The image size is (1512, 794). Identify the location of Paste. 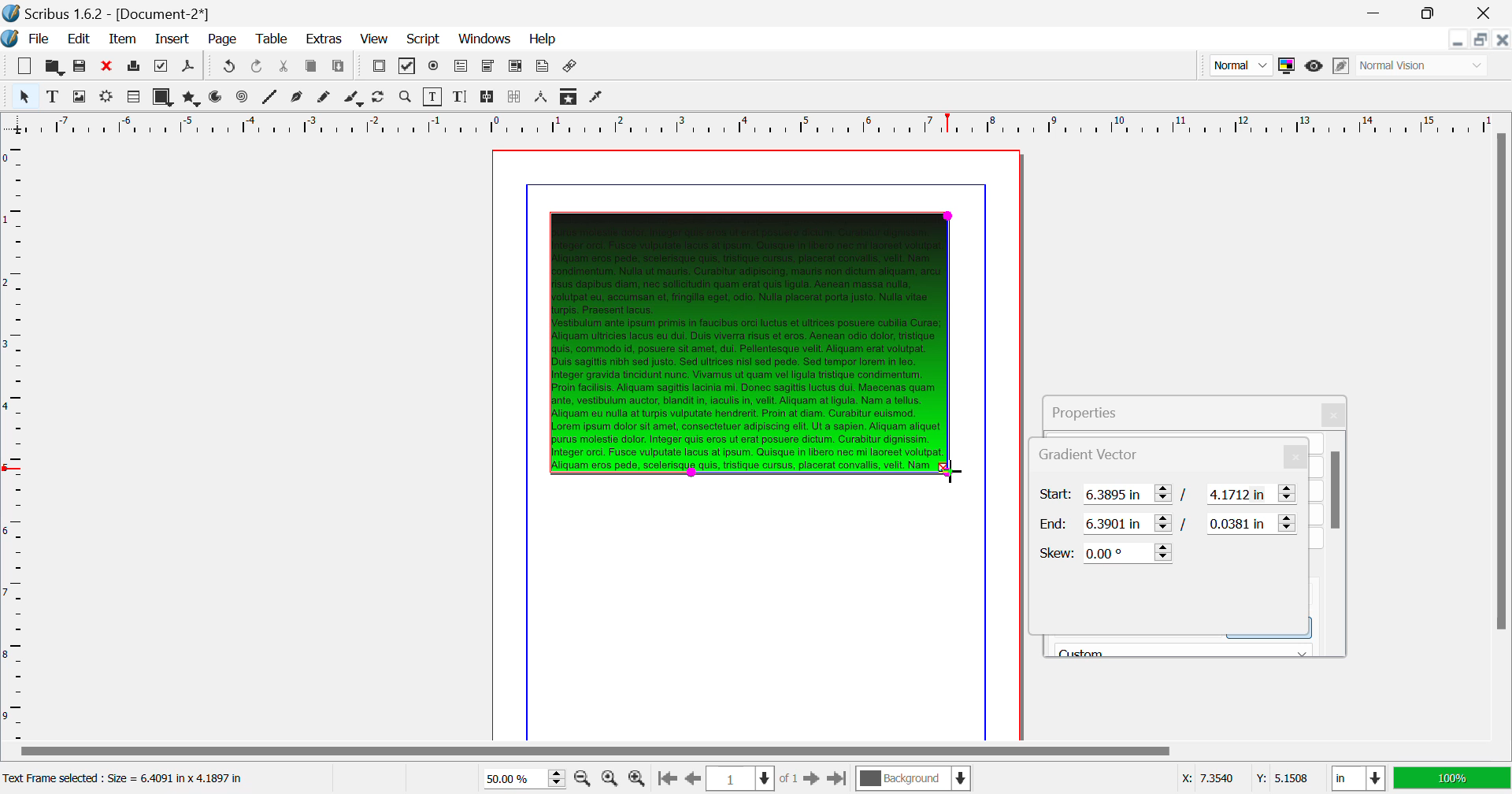
(340, 69).